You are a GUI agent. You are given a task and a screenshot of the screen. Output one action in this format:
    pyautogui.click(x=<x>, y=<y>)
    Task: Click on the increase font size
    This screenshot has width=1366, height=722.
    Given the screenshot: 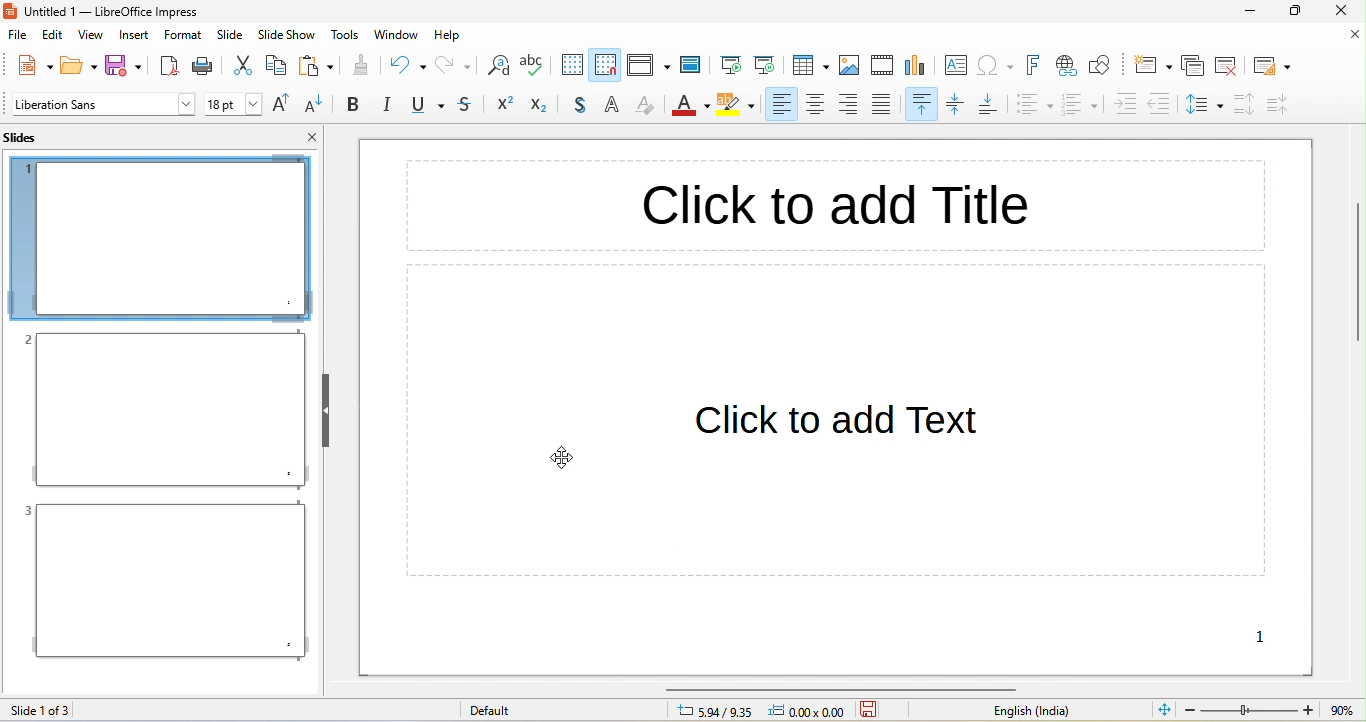 What is the action you would take?
    pyautogui.click(x=284, y=106)
    